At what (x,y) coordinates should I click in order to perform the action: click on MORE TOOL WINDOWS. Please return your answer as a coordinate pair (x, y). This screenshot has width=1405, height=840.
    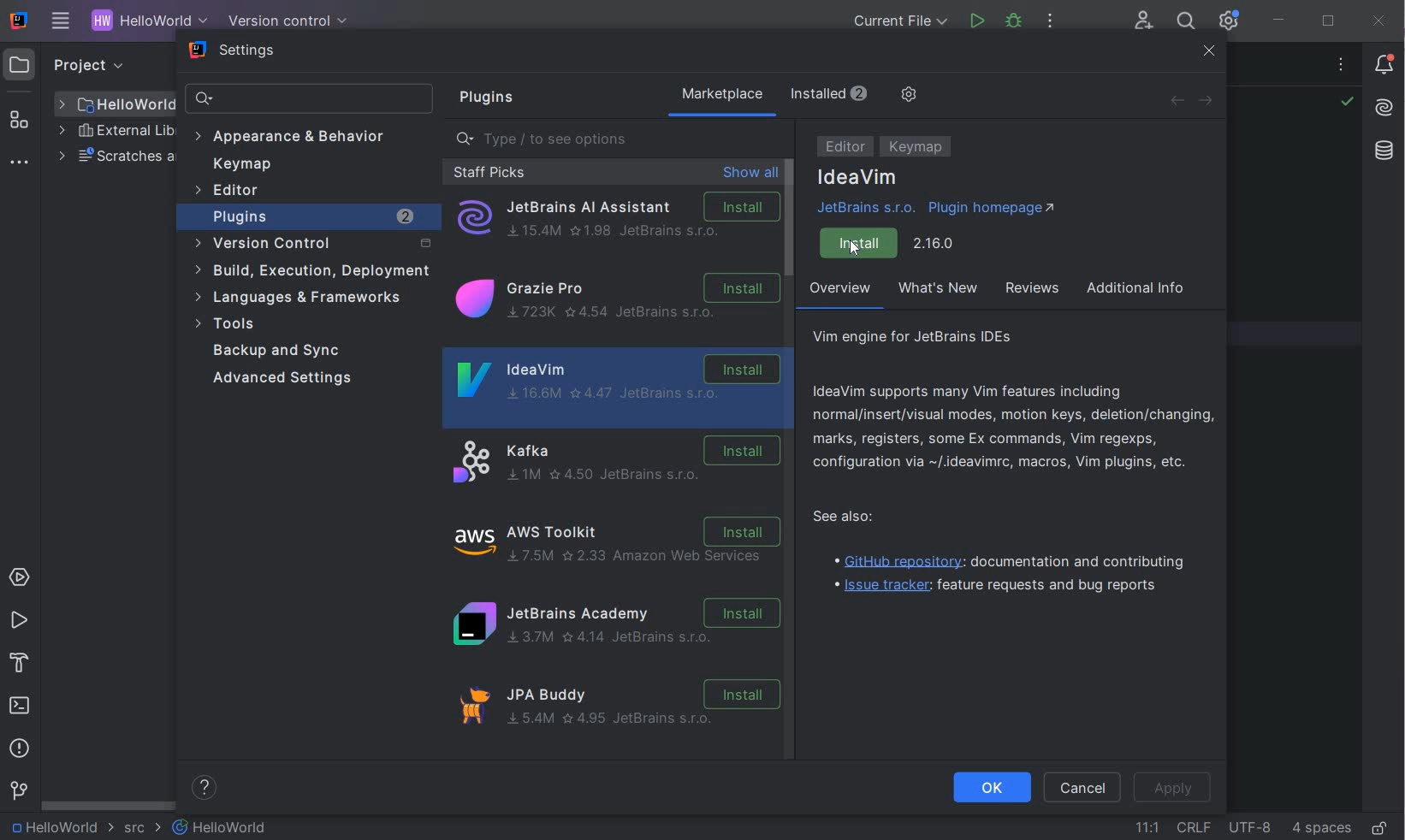
    Looking at the image, I should click on (19, 163).